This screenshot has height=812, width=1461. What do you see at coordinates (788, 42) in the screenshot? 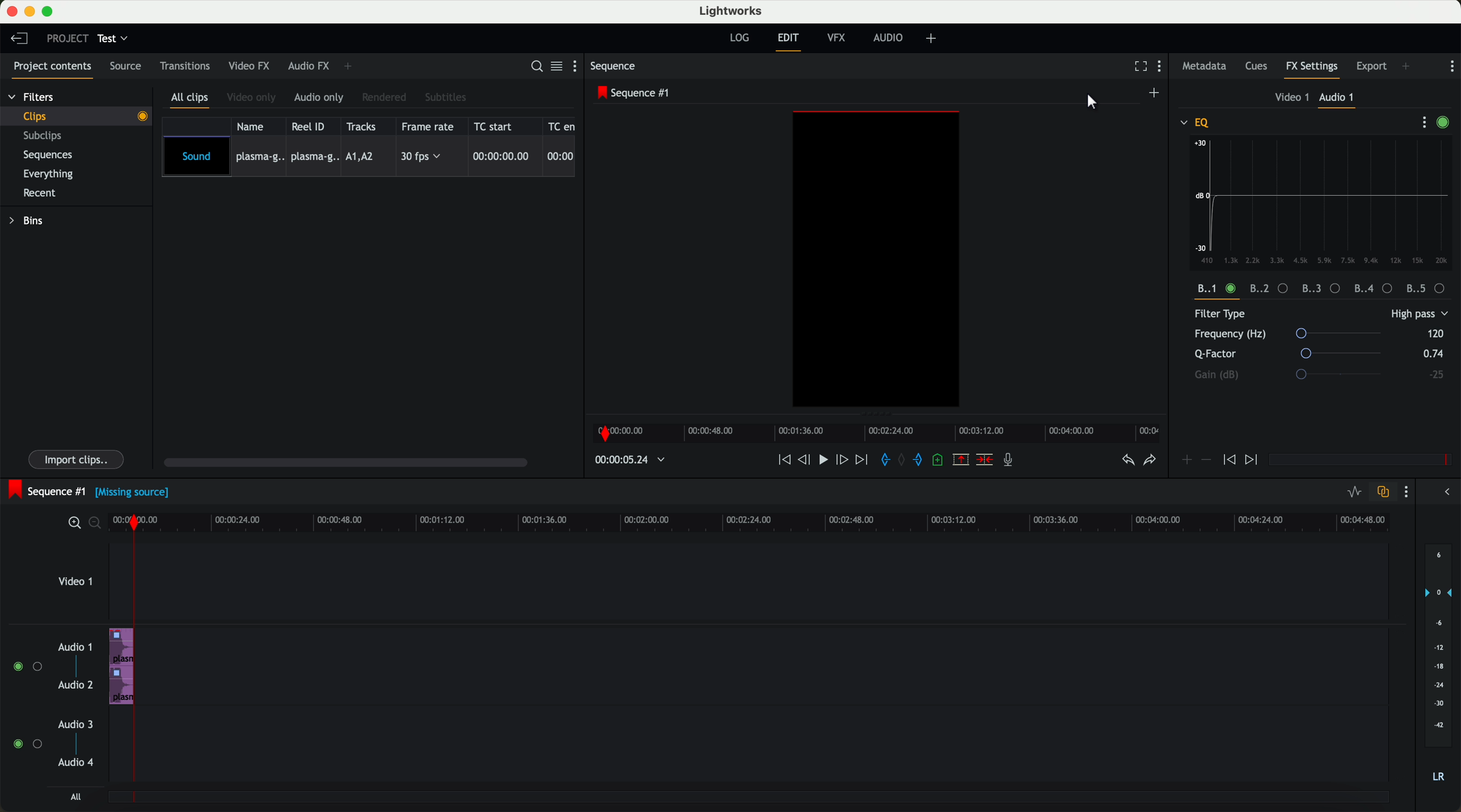
I see `exit` at bounding box center [788, 42].